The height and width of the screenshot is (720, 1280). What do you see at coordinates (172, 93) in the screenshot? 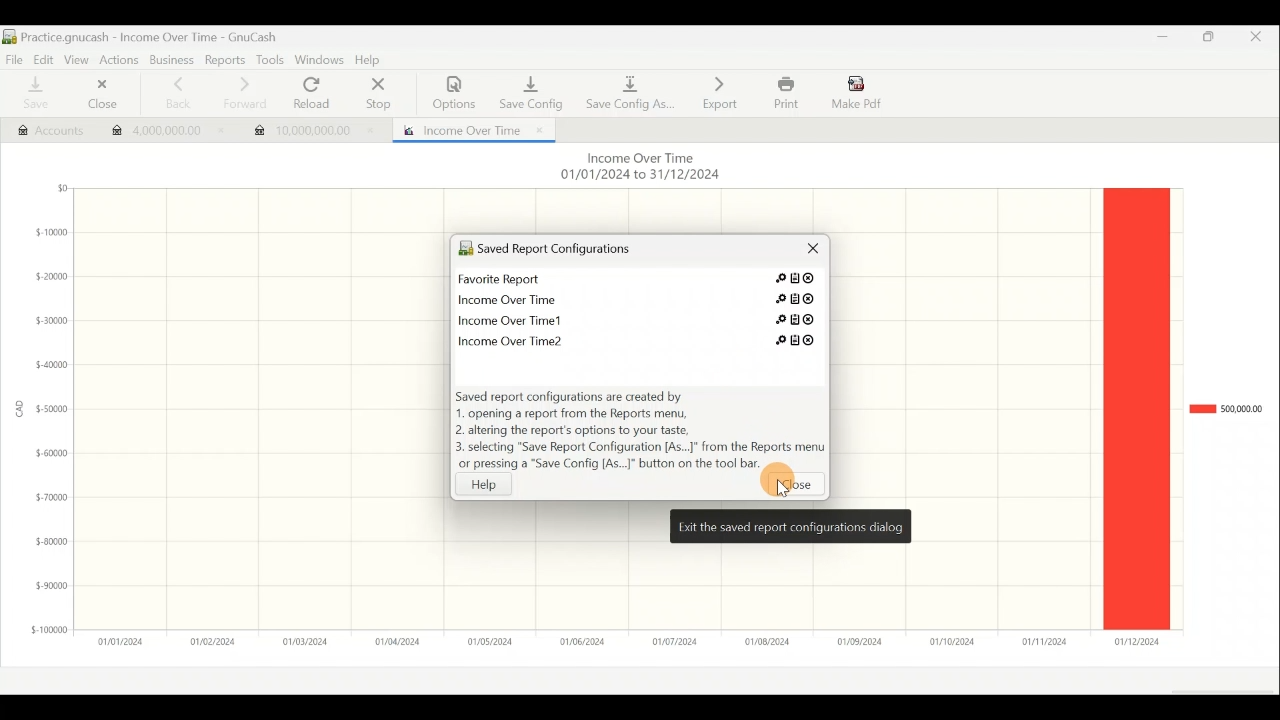
I see `Back` at bounding box center [172, 93].